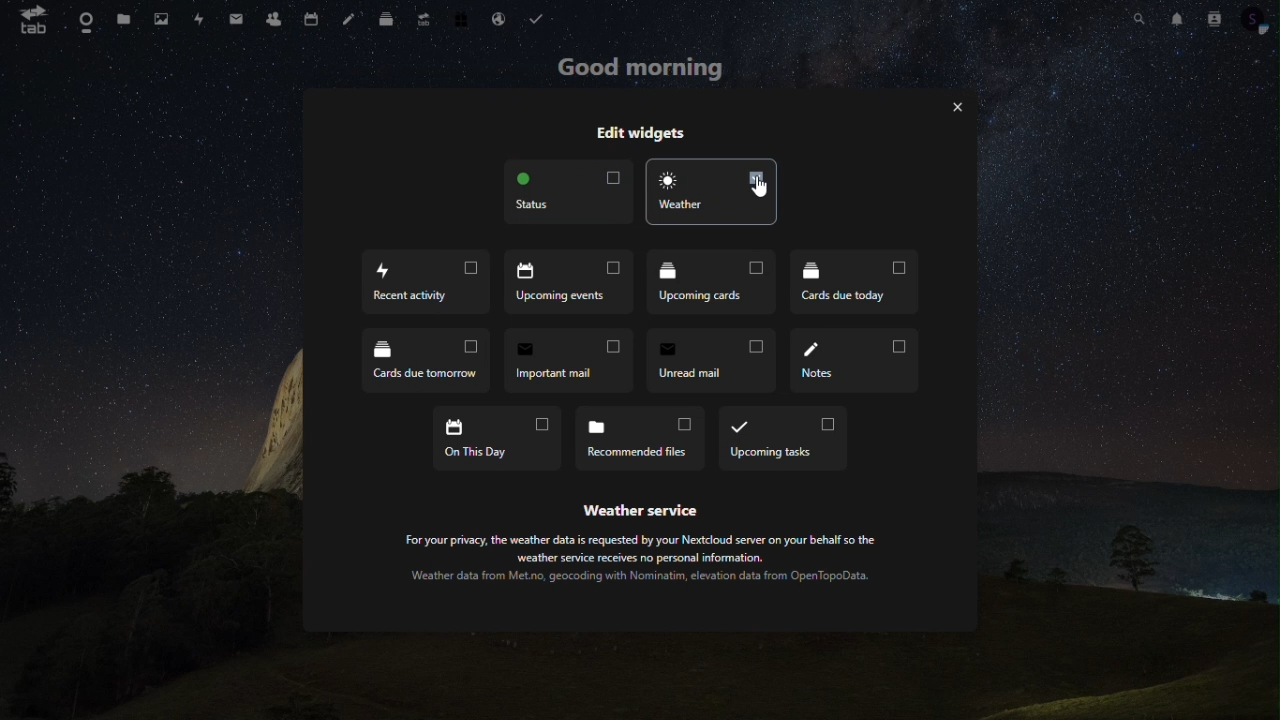 The height and width of the screenshot is (720, 1280). Describe the element at coordinates (715, 360) in the screenshot. I see `unread  mail` at that location.